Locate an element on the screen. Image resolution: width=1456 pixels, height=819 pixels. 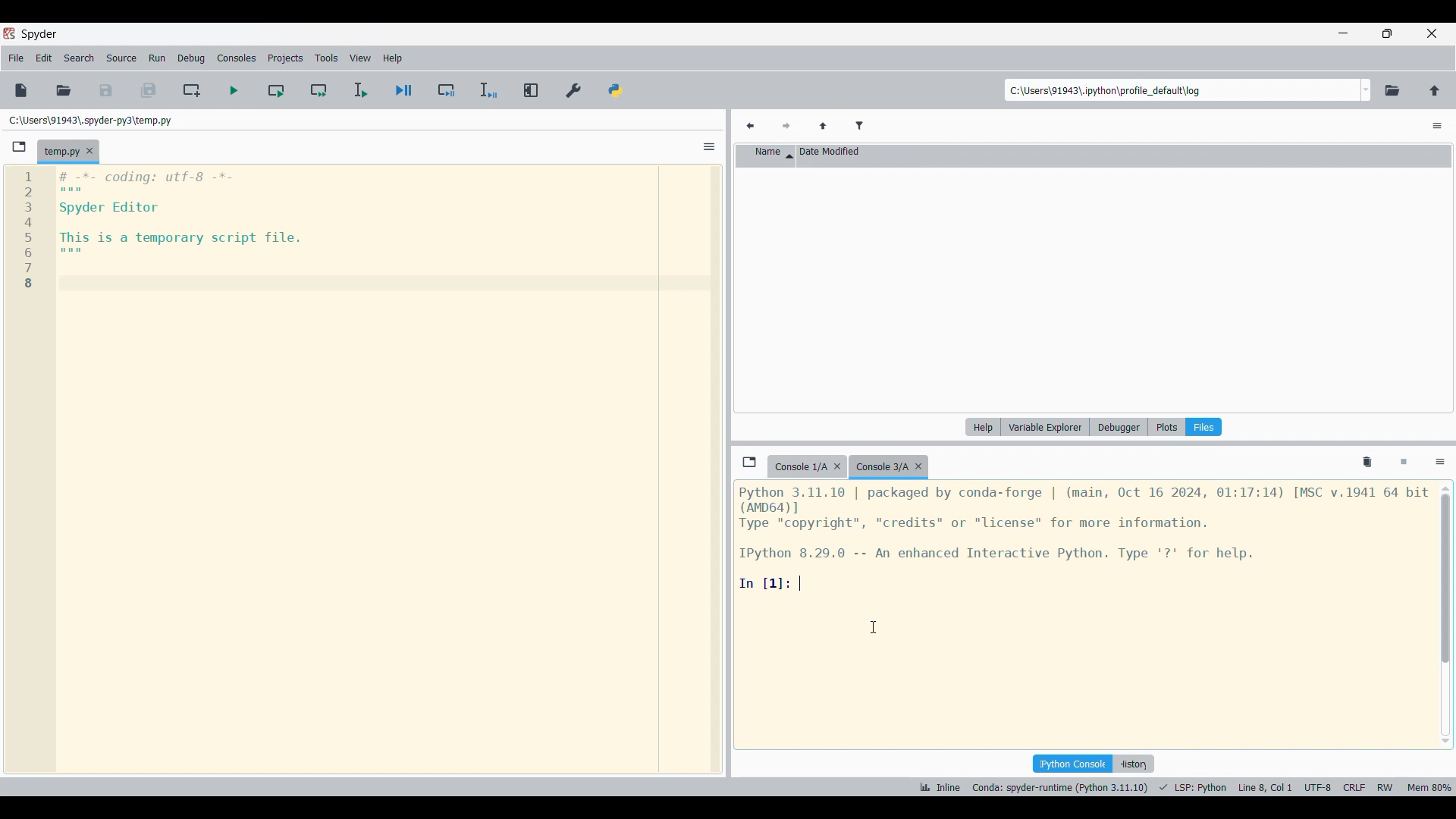
No details under respective columns is located at coordinates (1085, 289).